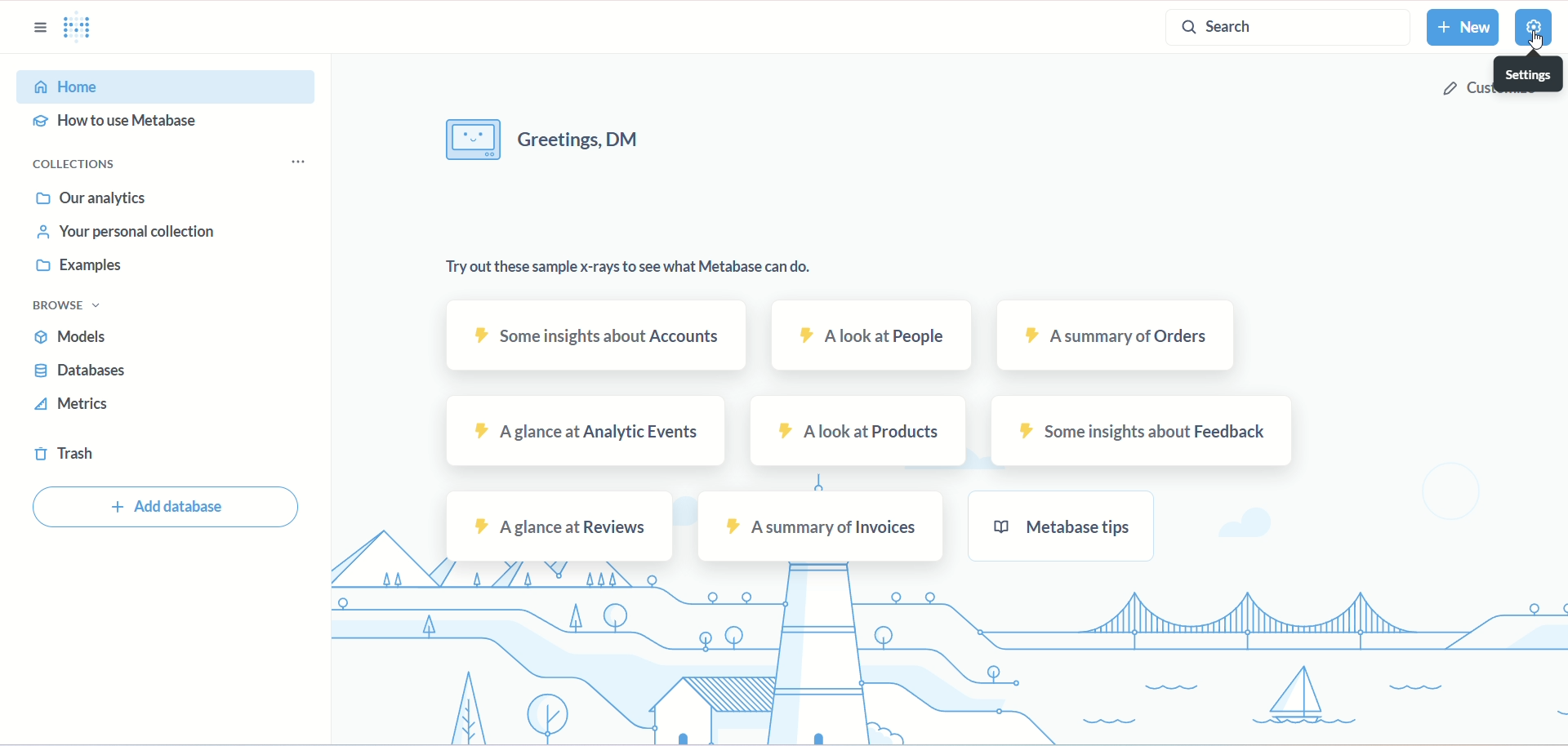 The width and height of the screenshot is (1568, 746). What do you see at coordinates (1535, 27) in the screenshot?
I see `settings` at bounding box center [1535, 27].